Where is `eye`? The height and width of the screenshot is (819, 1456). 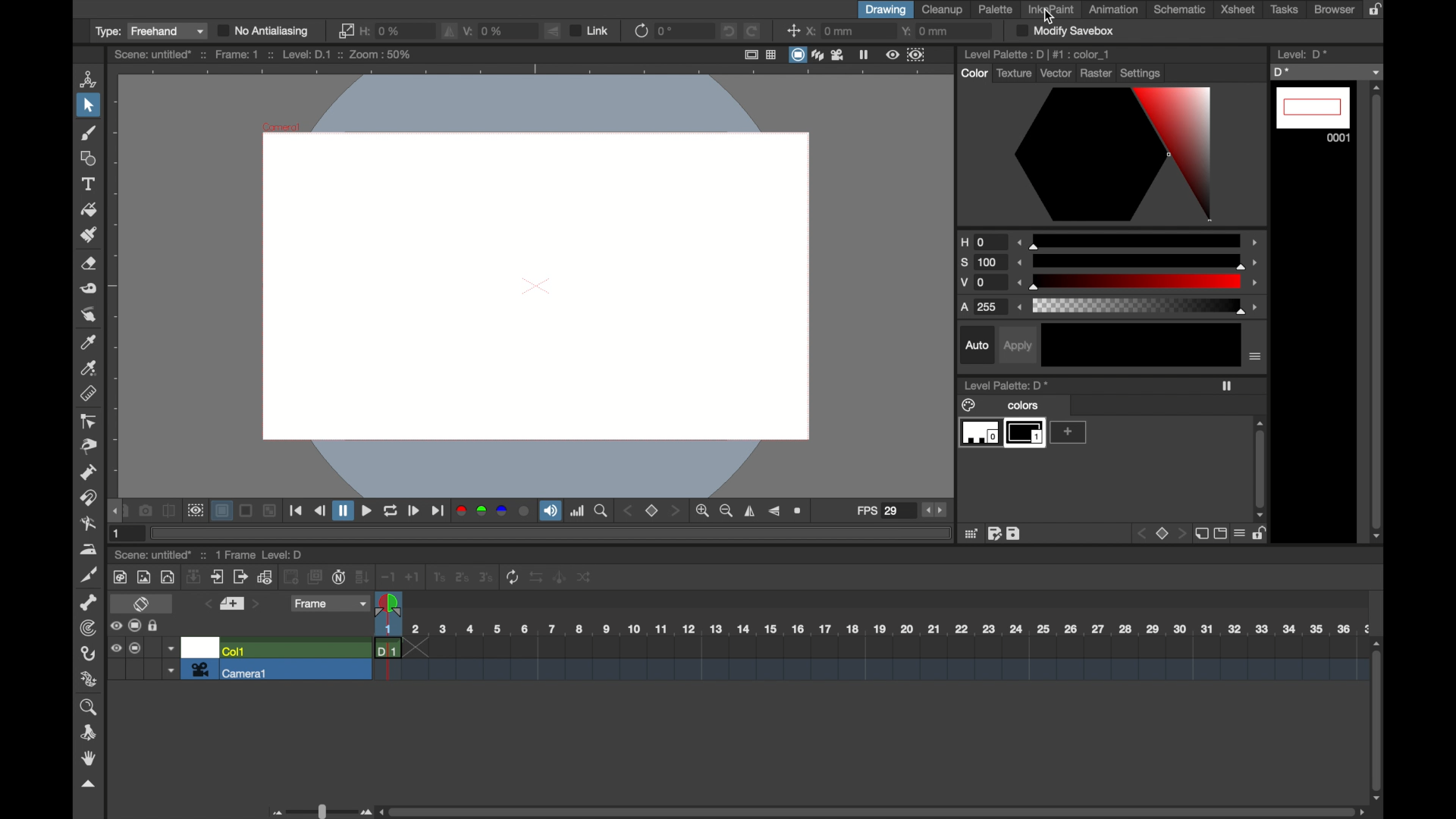 eye is located at coordinates (117, 648).